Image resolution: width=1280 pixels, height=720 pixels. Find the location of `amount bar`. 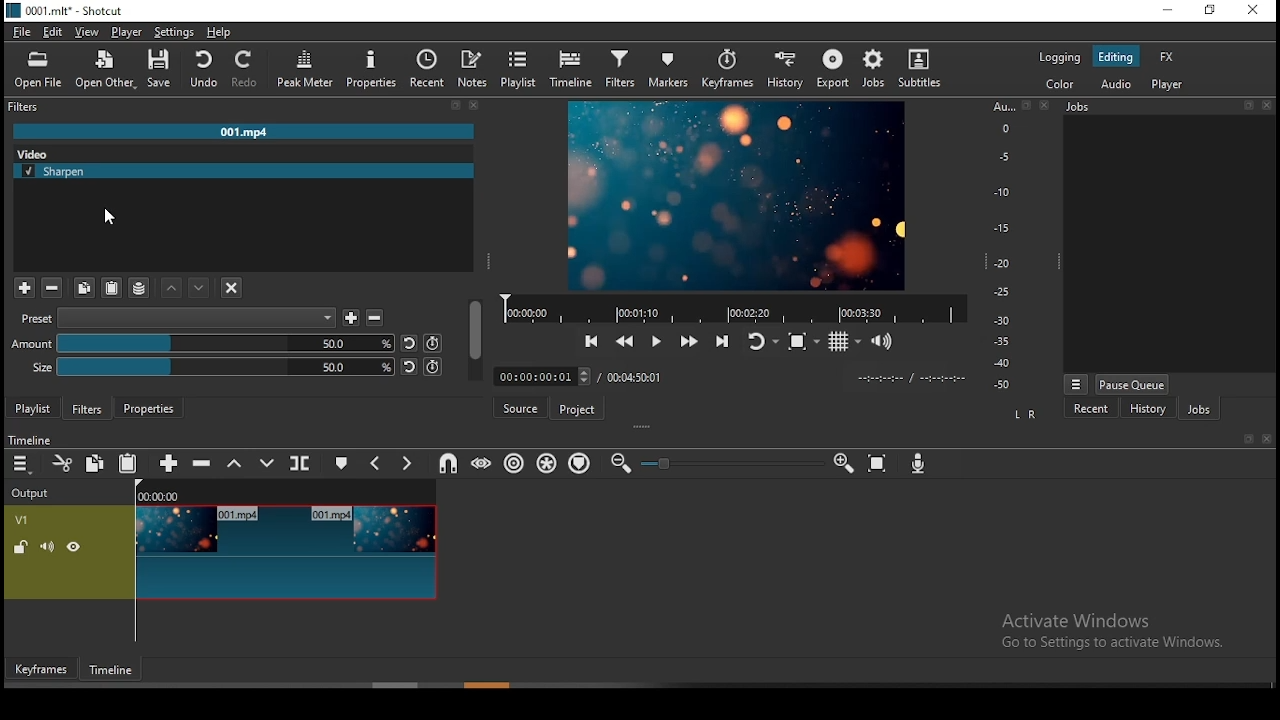

amount bar is located at coordinates (228, 343).